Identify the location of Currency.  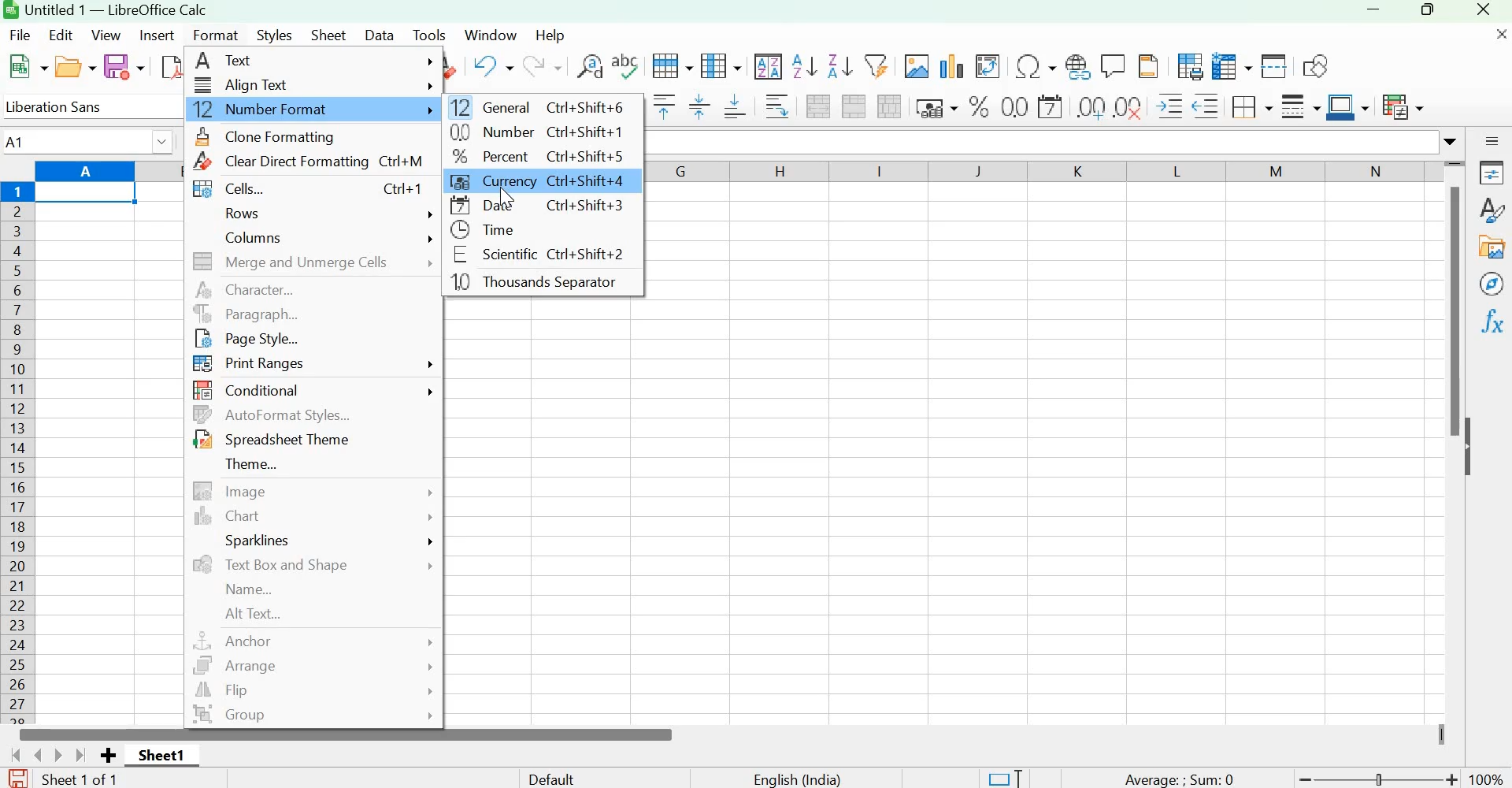
(539, 181).